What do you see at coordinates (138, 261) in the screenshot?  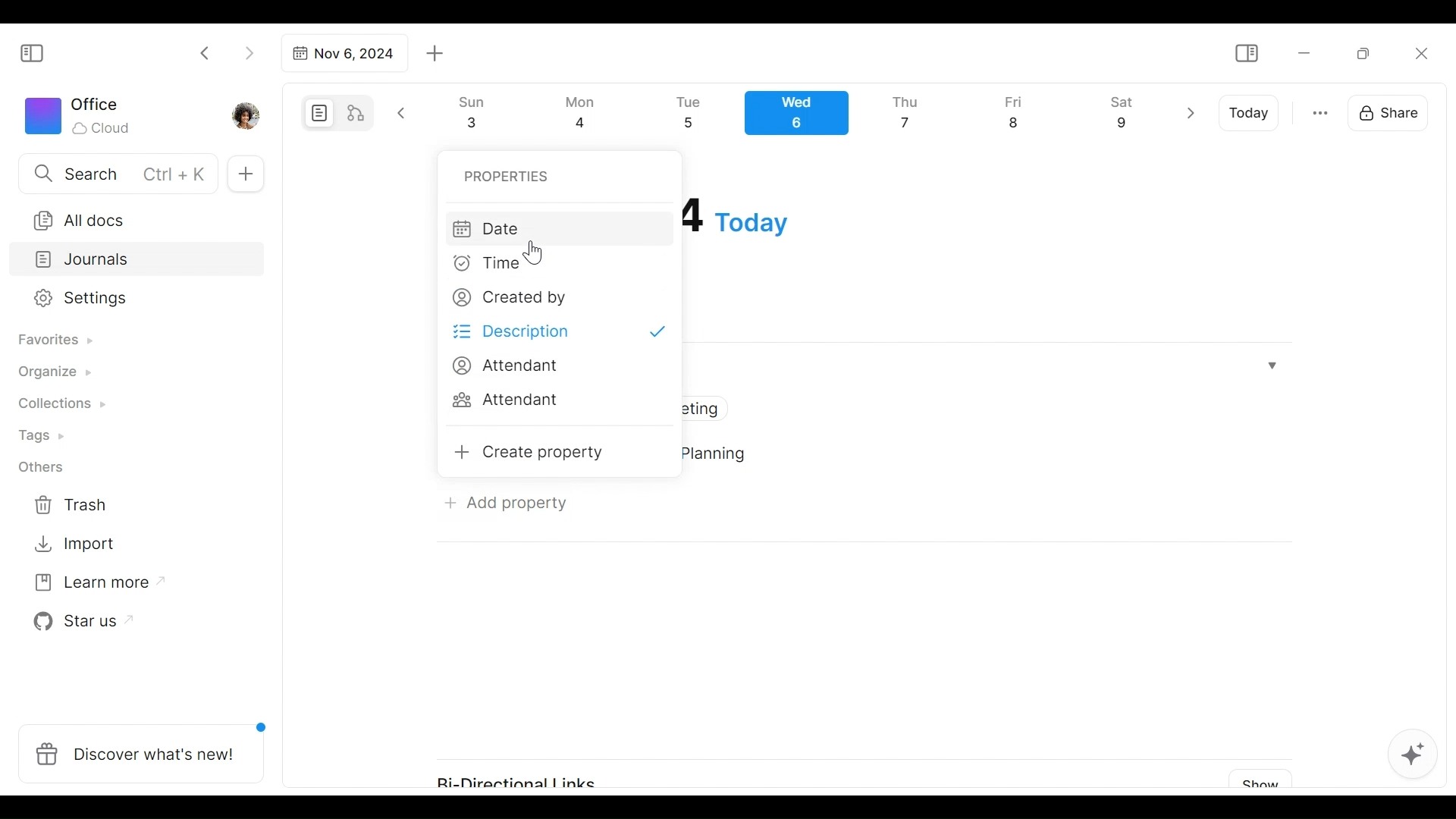 I see `Journals` at bounding box center [138, 261].